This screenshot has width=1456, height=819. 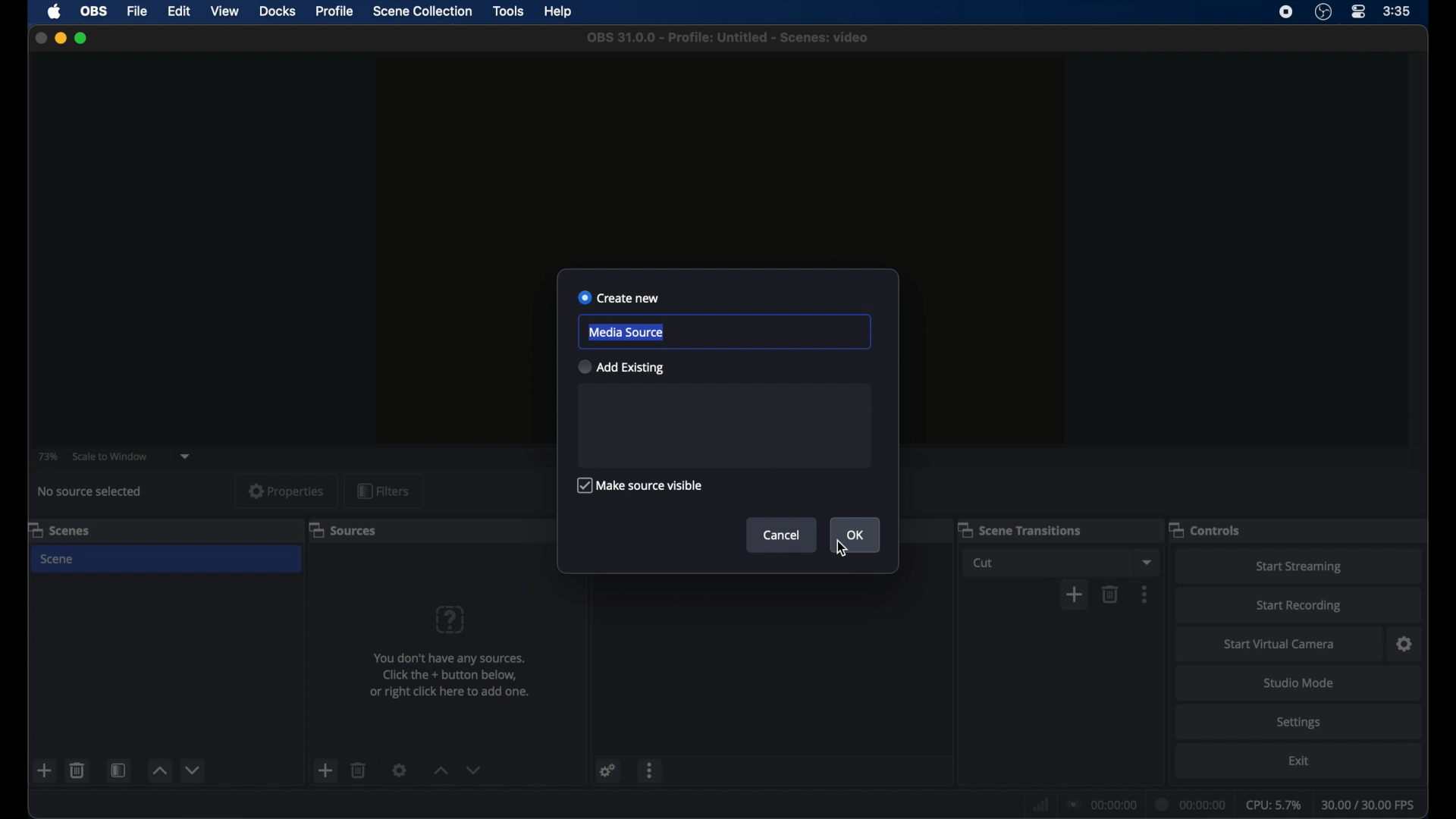 I want to click on 73%, so click(x=47, y=457).